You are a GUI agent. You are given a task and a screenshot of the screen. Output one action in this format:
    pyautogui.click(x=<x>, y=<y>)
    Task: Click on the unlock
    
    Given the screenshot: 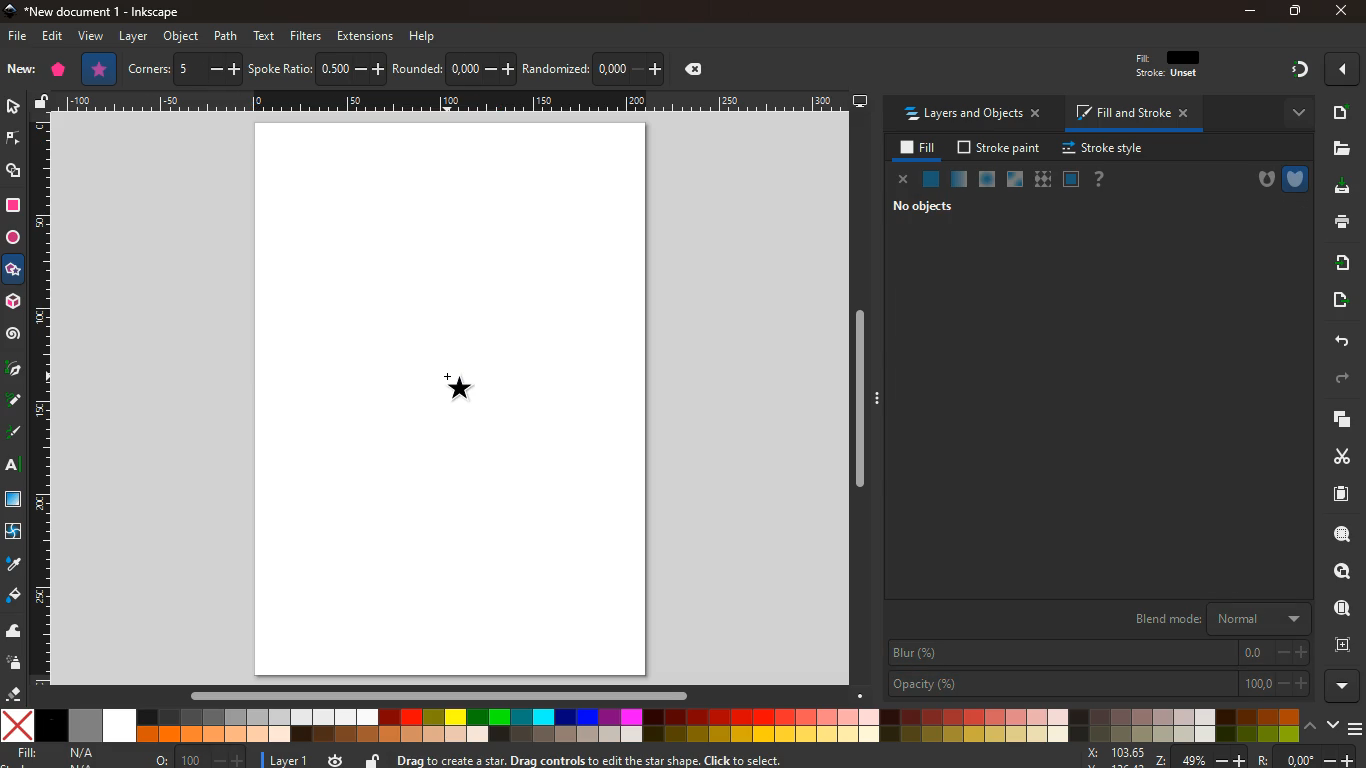 What is the action you would take?
    pyautogui.click(x=44, y=103)
    